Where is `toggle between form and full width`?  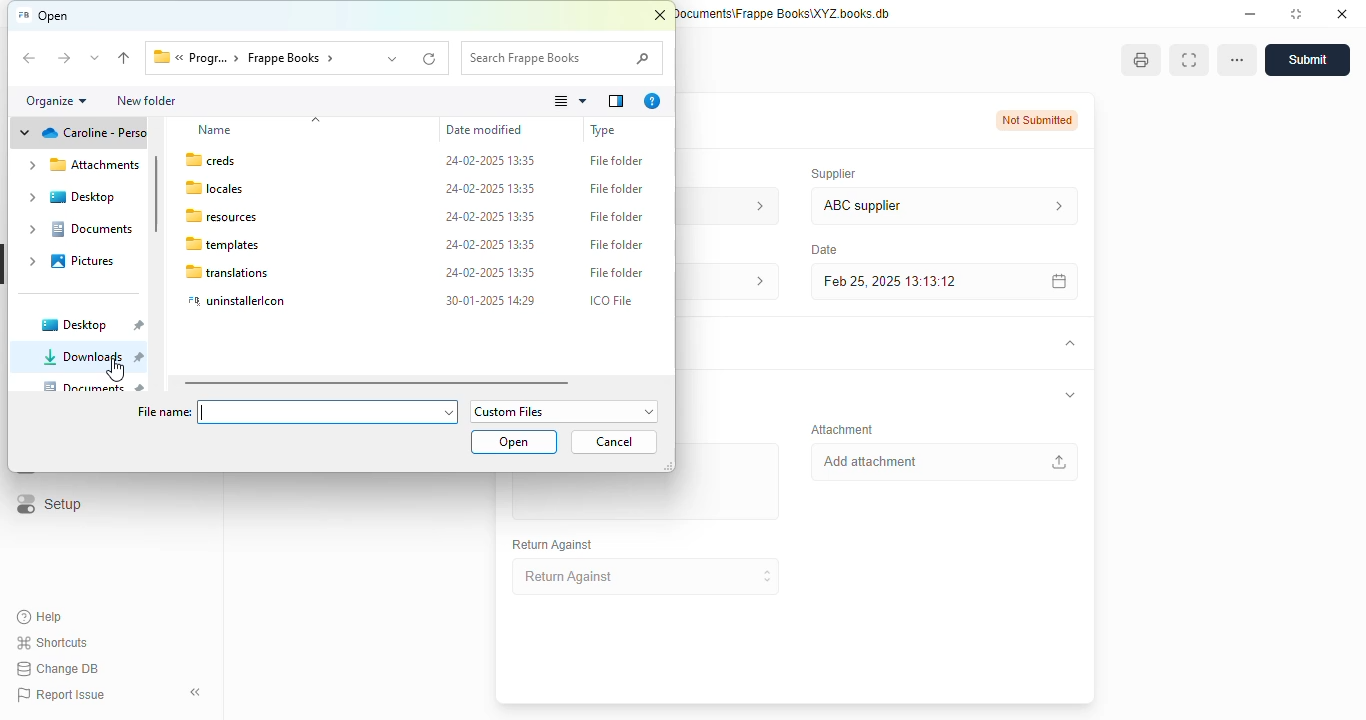
toggle between form and full width is located at coordinates (1188, 60).